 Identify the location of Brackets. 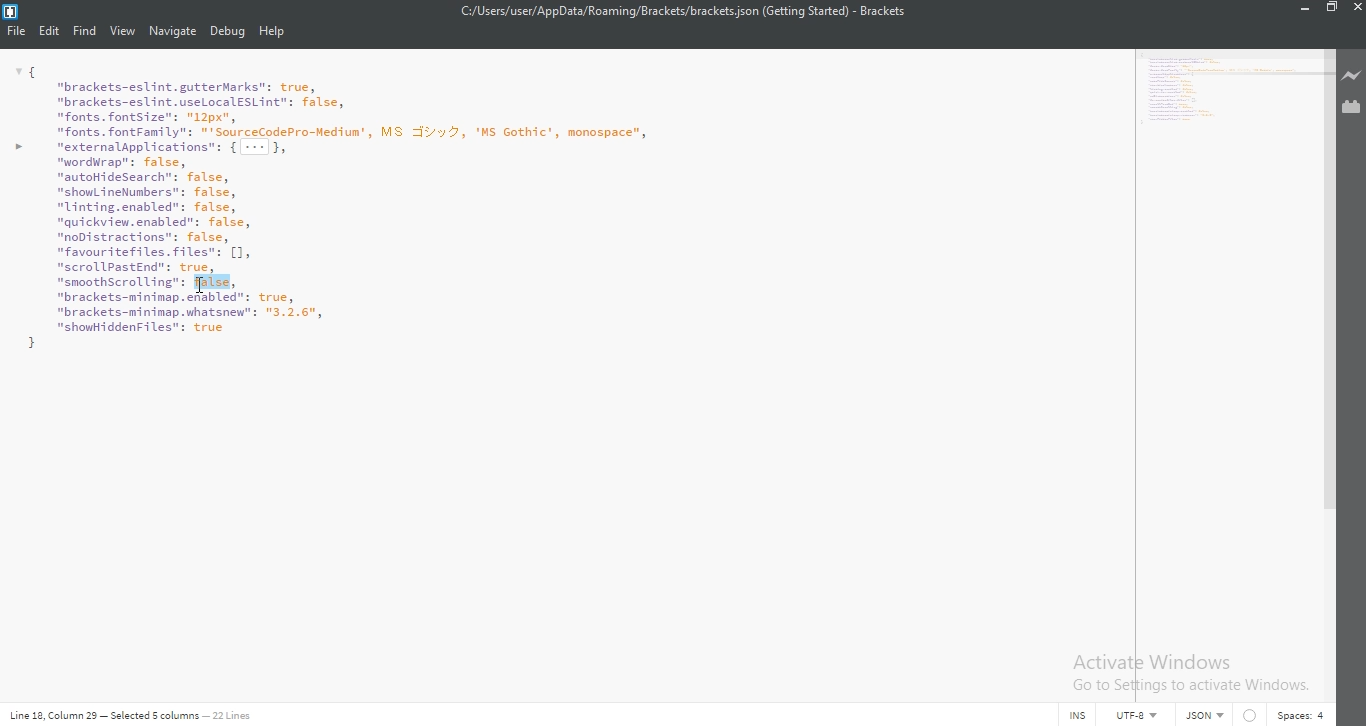
(883, 11).